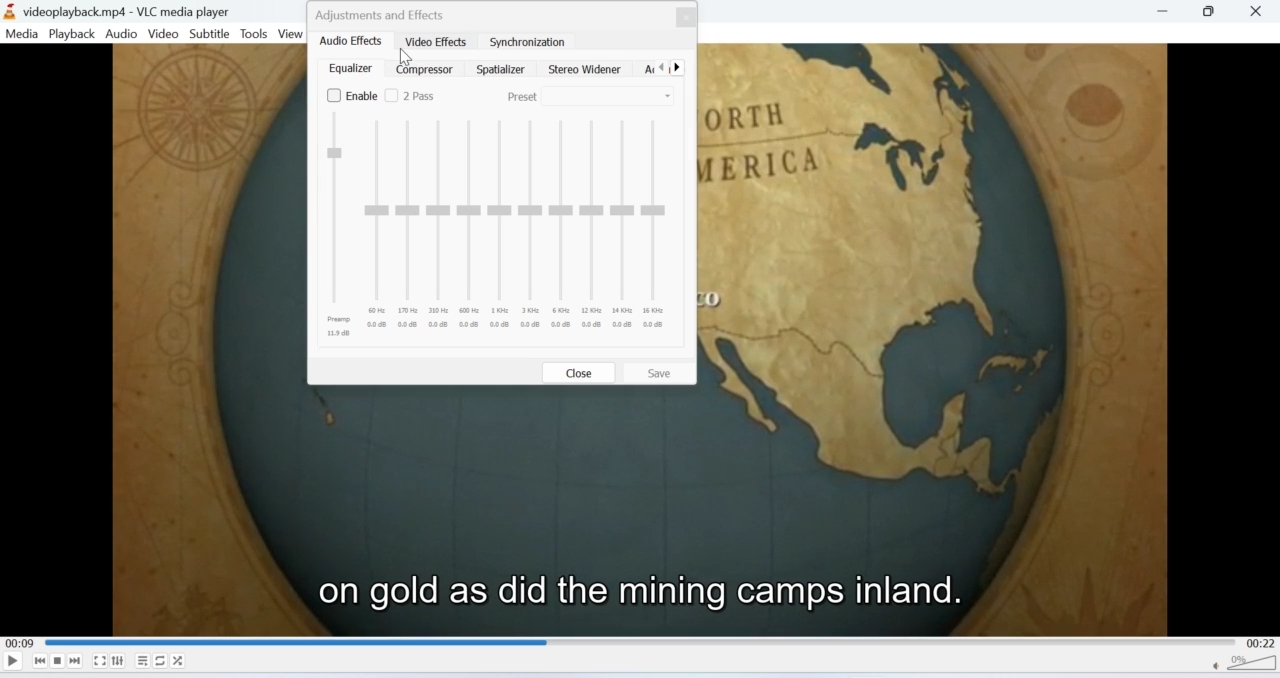  Describe the element at coordinates (350, 94) in the screenshot. I see `enable` at that location.